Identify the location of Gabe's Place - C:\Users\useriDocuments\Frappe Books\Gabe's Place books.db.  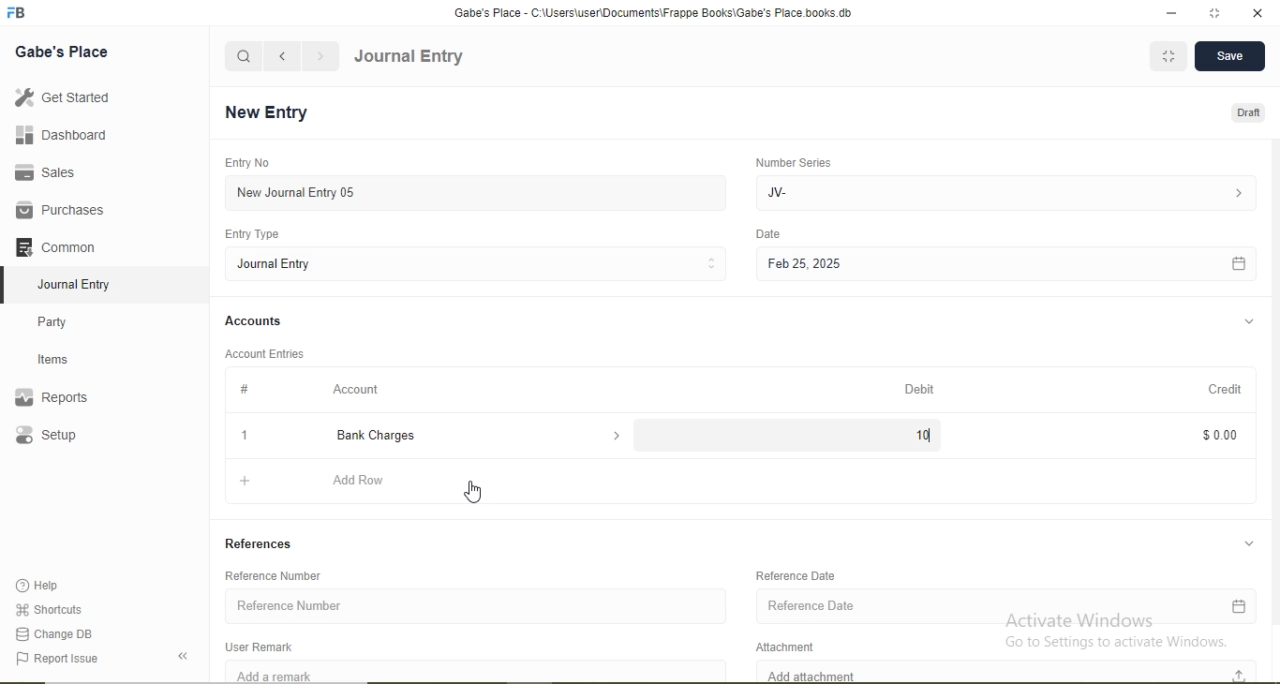
(655, 12).